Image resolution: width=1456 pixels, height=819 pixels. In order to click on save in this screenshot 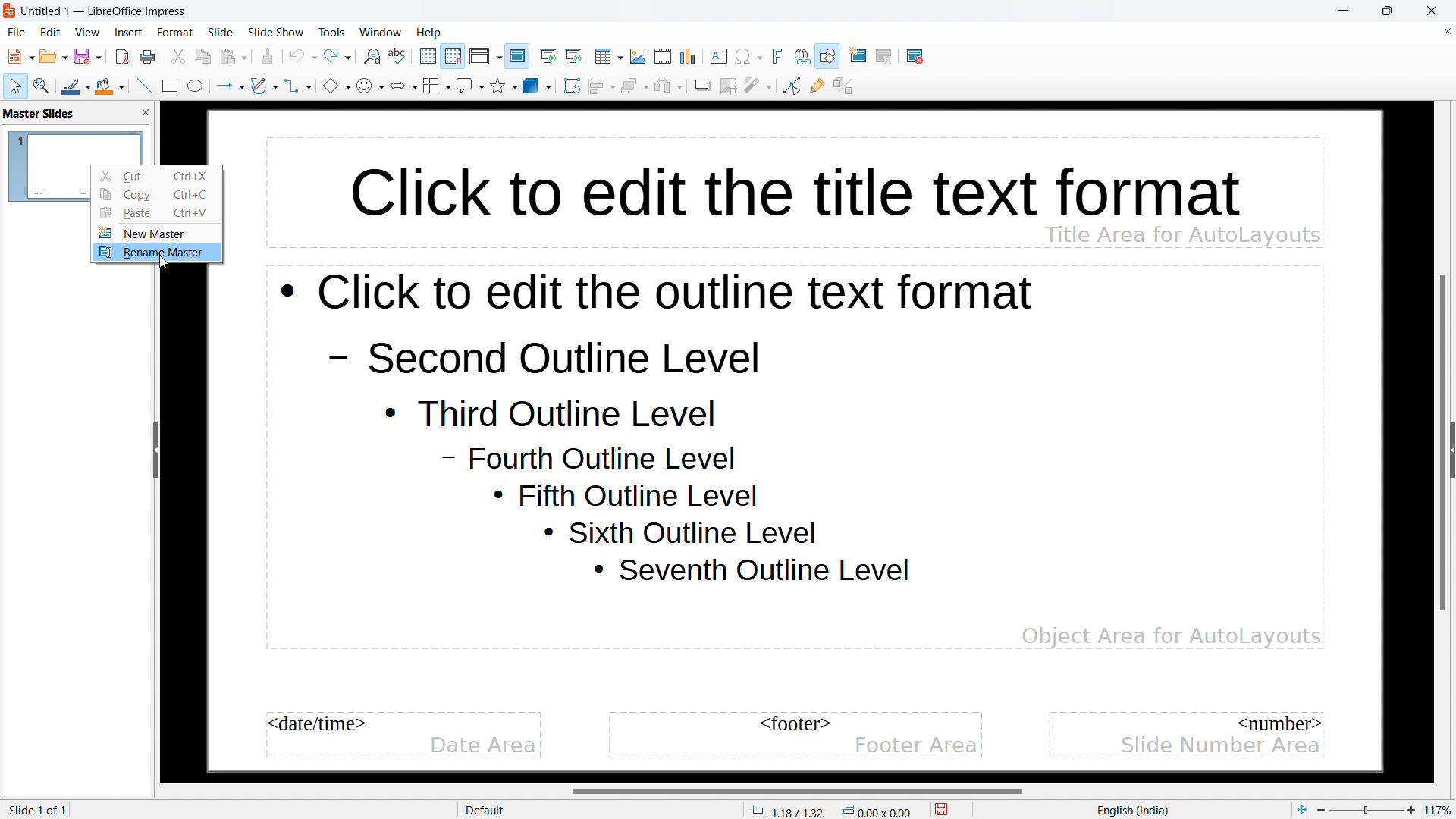, I will do `click(149, 58)`.